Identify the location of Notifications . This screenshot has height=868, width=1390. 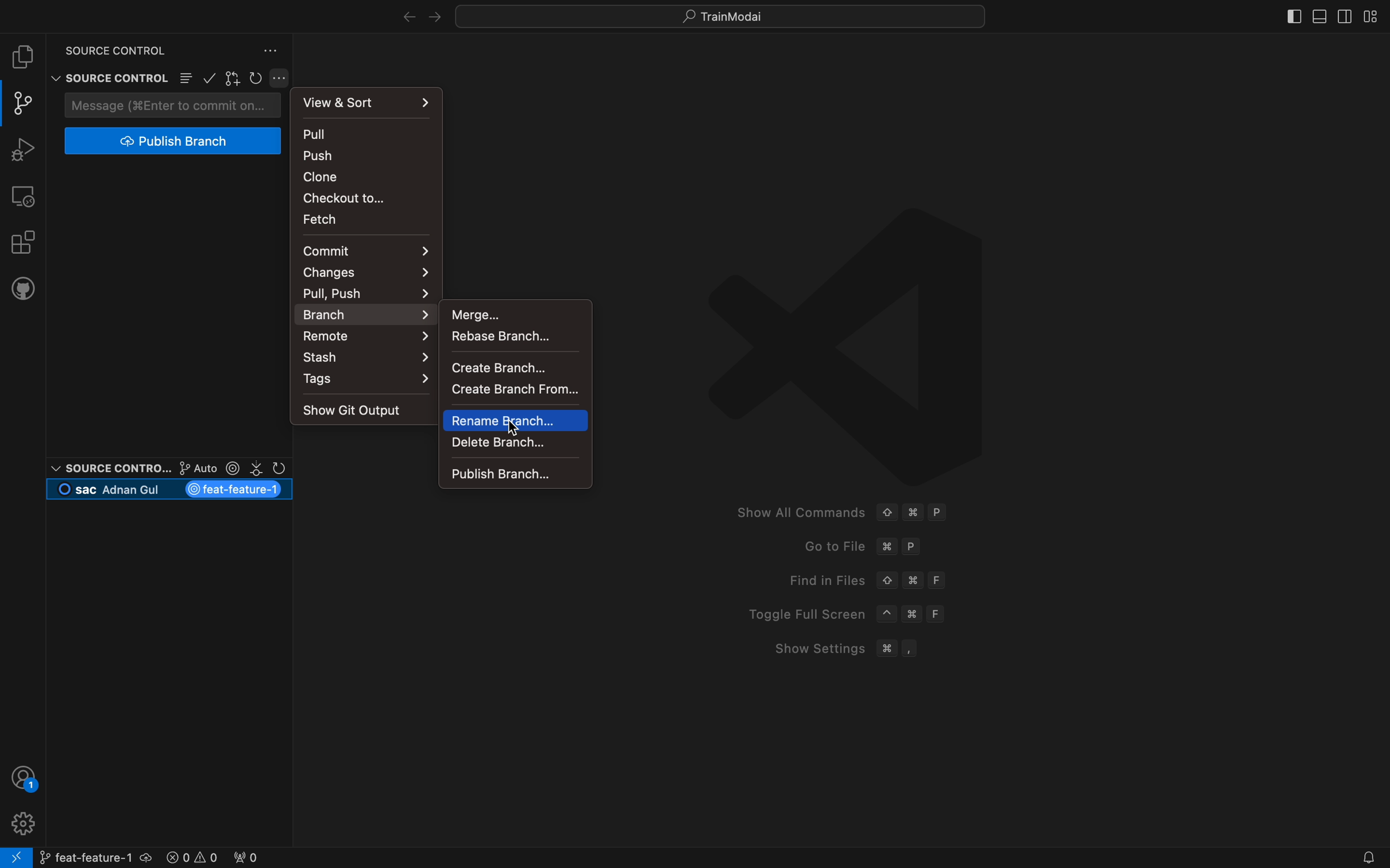
(1366, 858).